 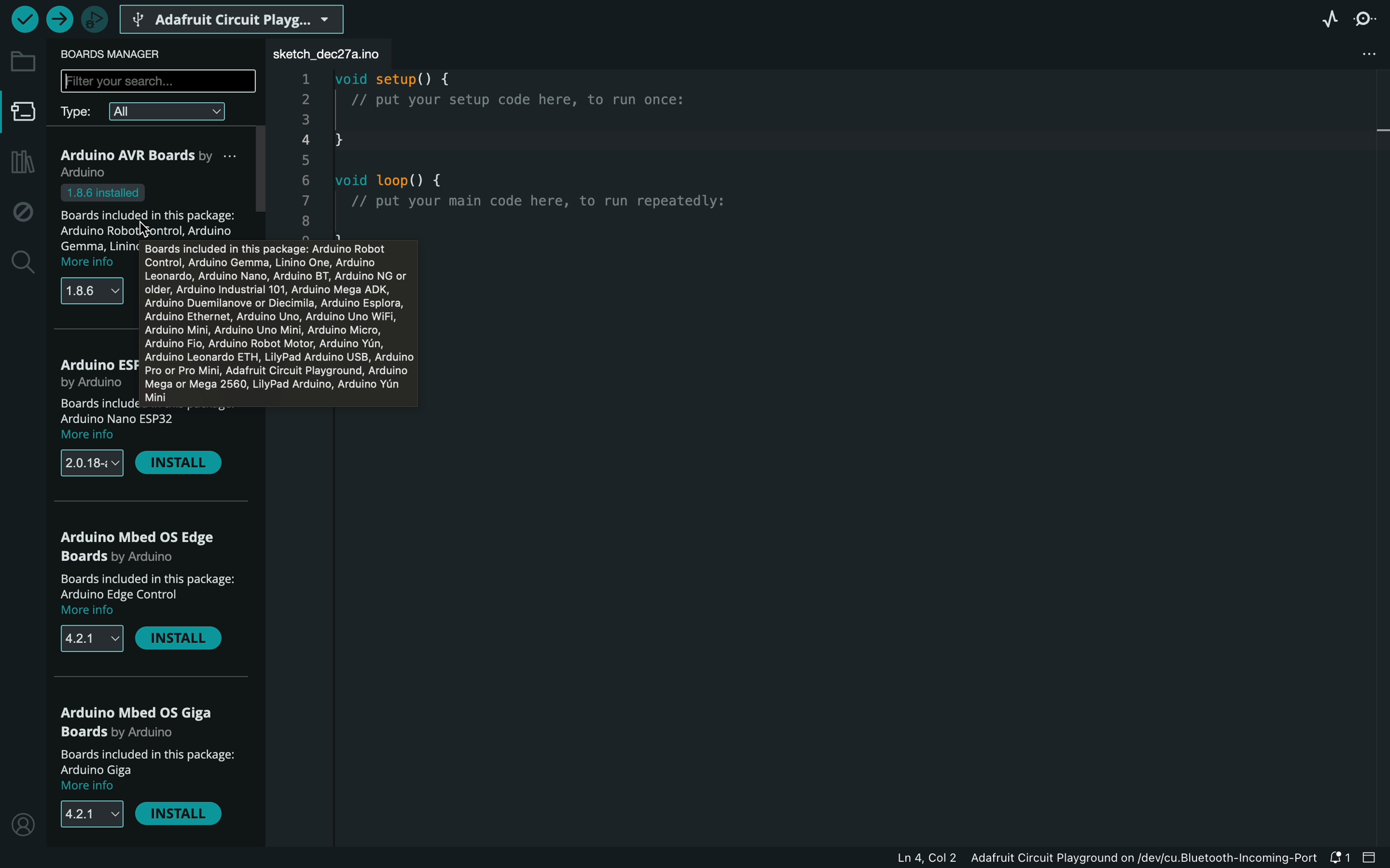 What do you see at coordinates (1340, 859) in the screenshot?
I see `notification` at bounding box center [1340, 859].